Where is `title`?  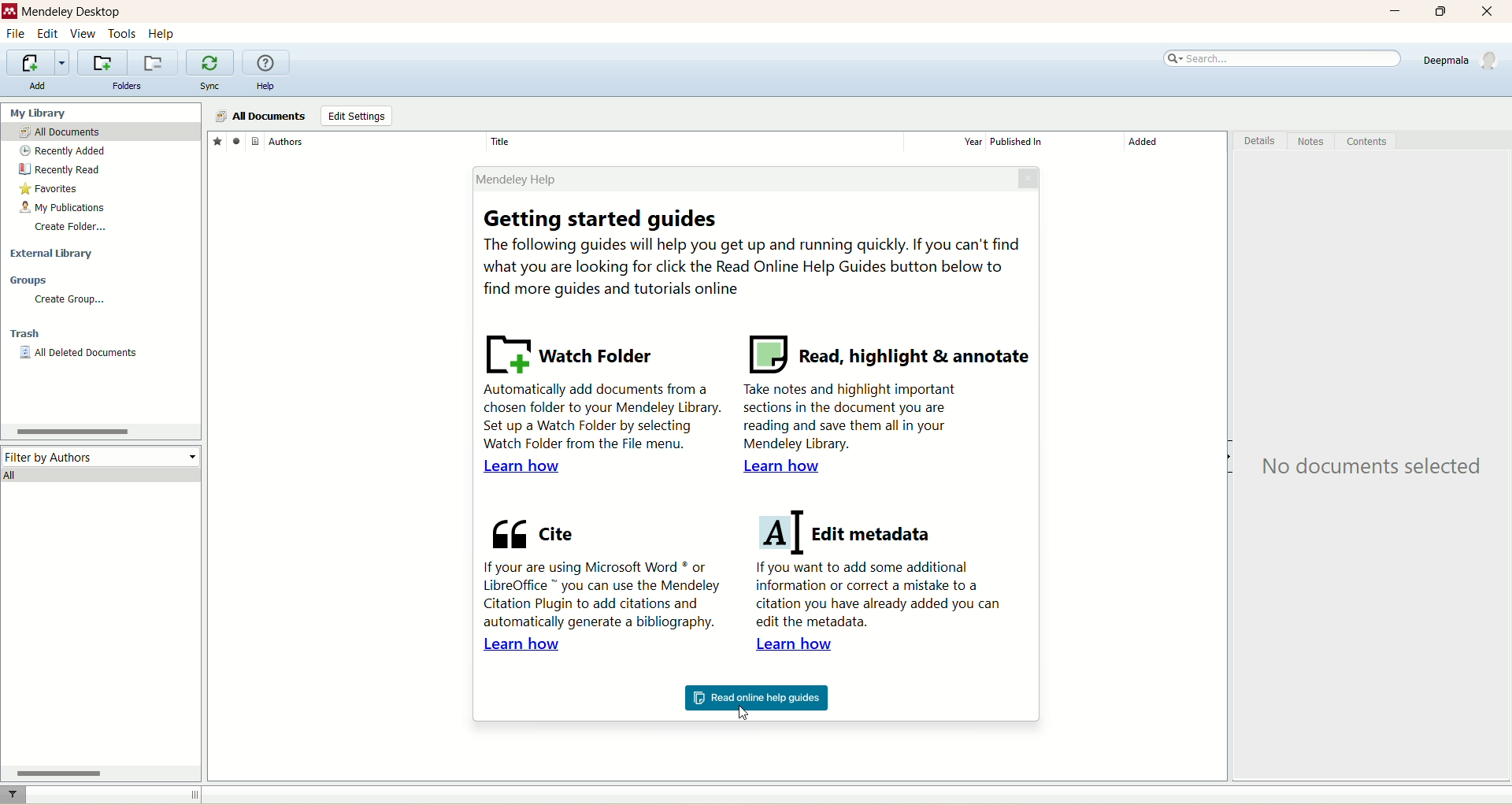 title is located at coordinates (695, 140).